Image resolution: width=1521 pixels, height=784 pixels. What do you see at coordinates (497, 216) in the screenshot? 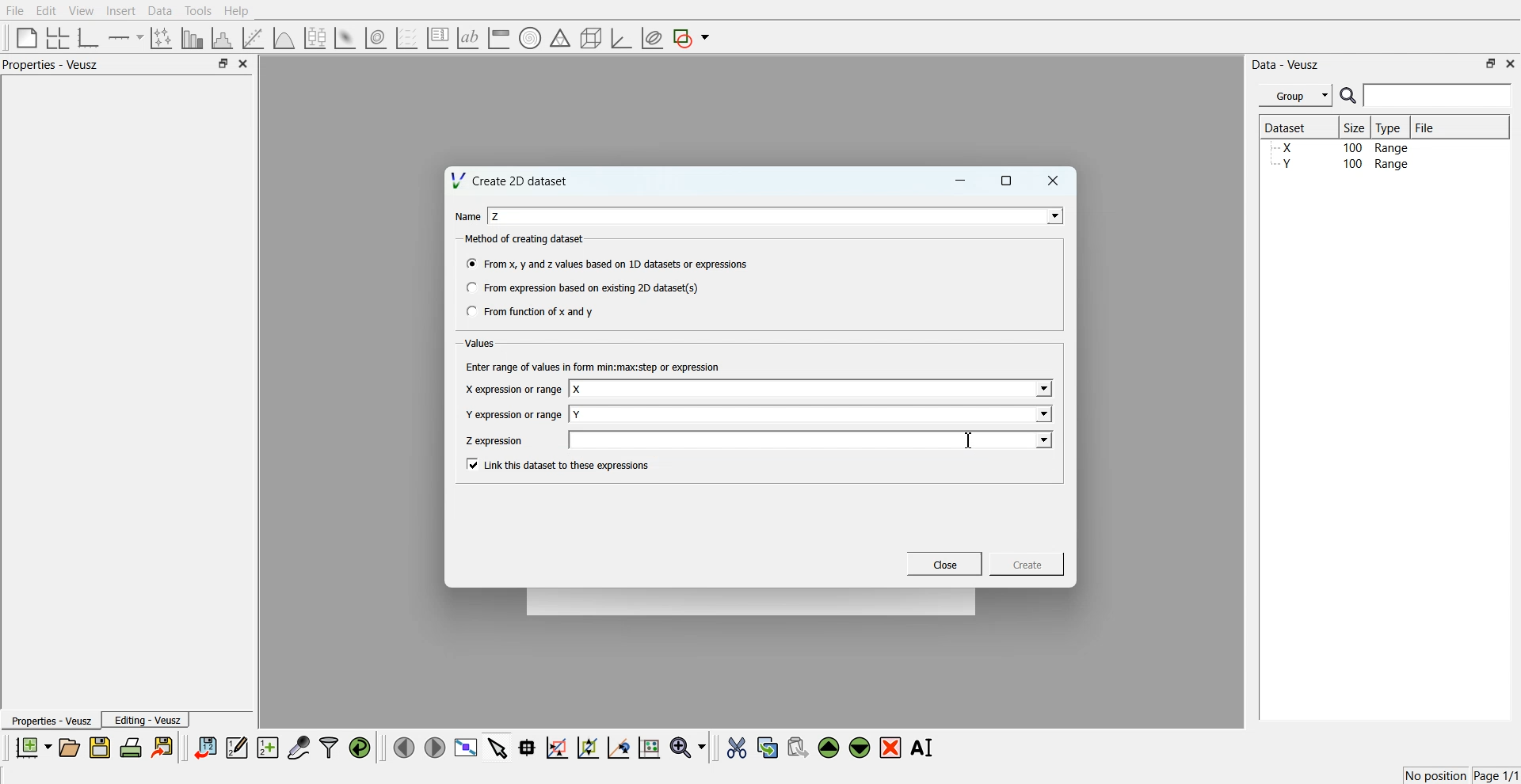
I see `Z` at bounding box center [497, 216].